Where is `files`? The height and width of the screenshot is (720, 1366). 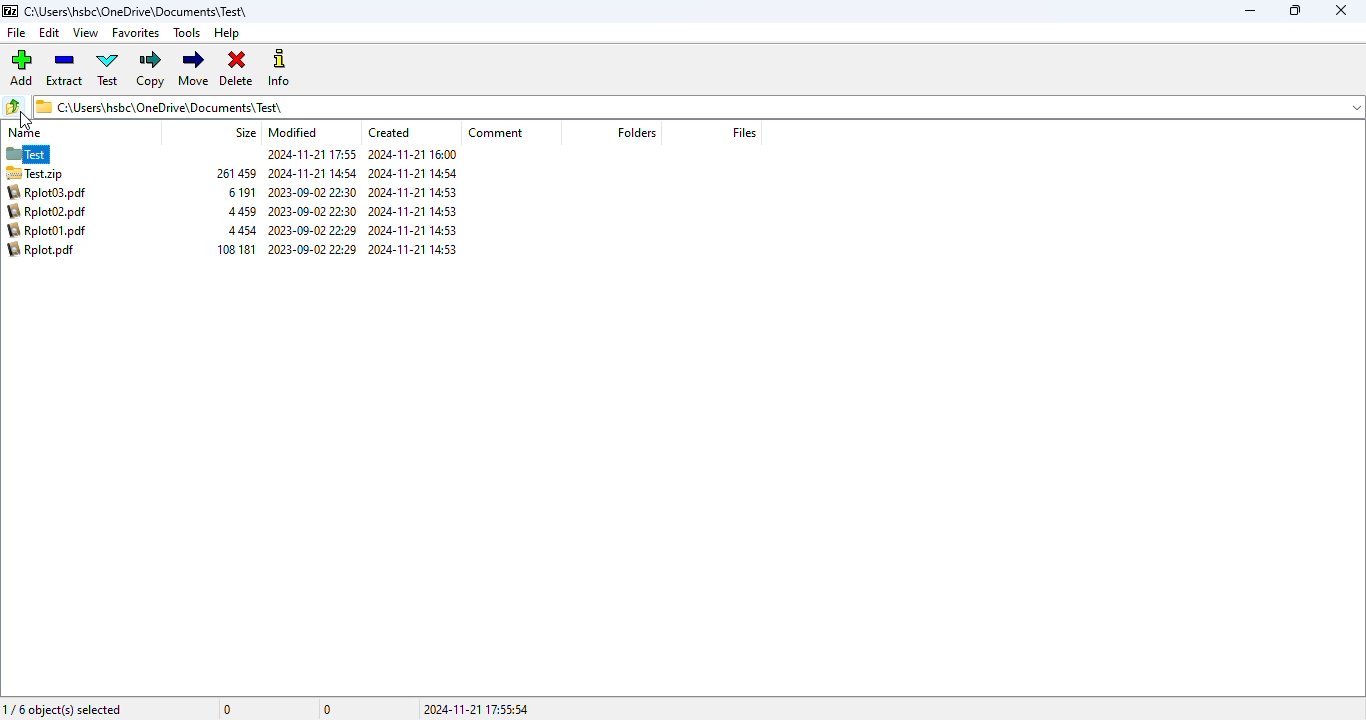 files is located at coordinates (744, 132).